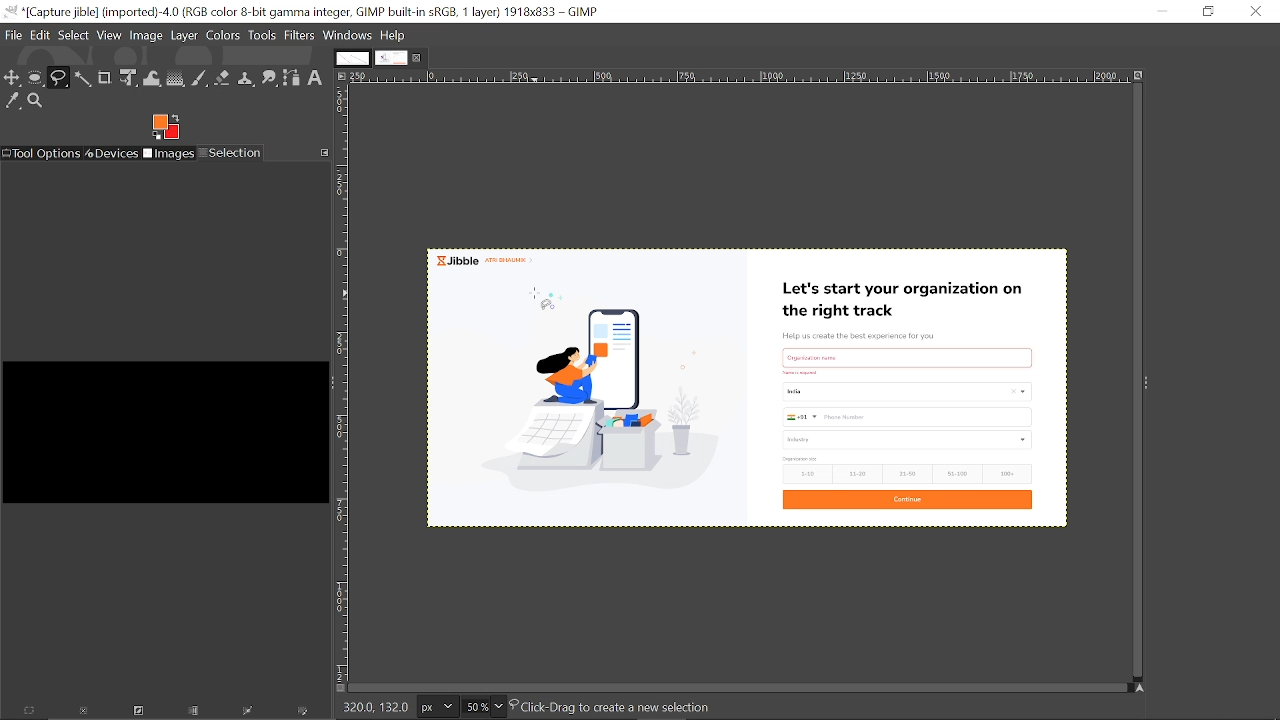  Describe the element at coordinates (170, 154) in the screenshot. I see `Images` at that location.